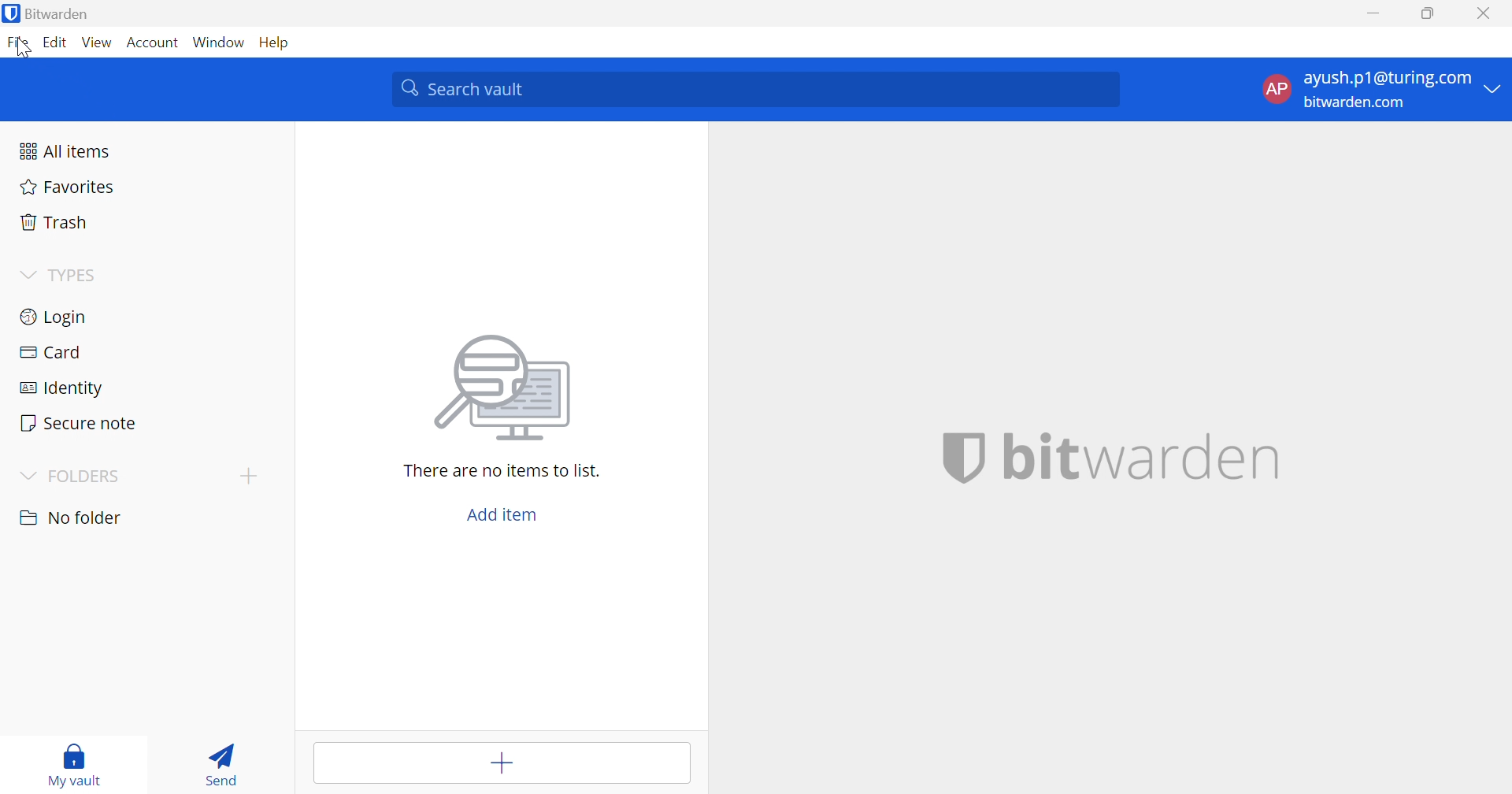 This screenshot has height=794, width=1512. Describe the element at coordinates (89, 477) in the screenshot. I see `FOLDERS` at that location.